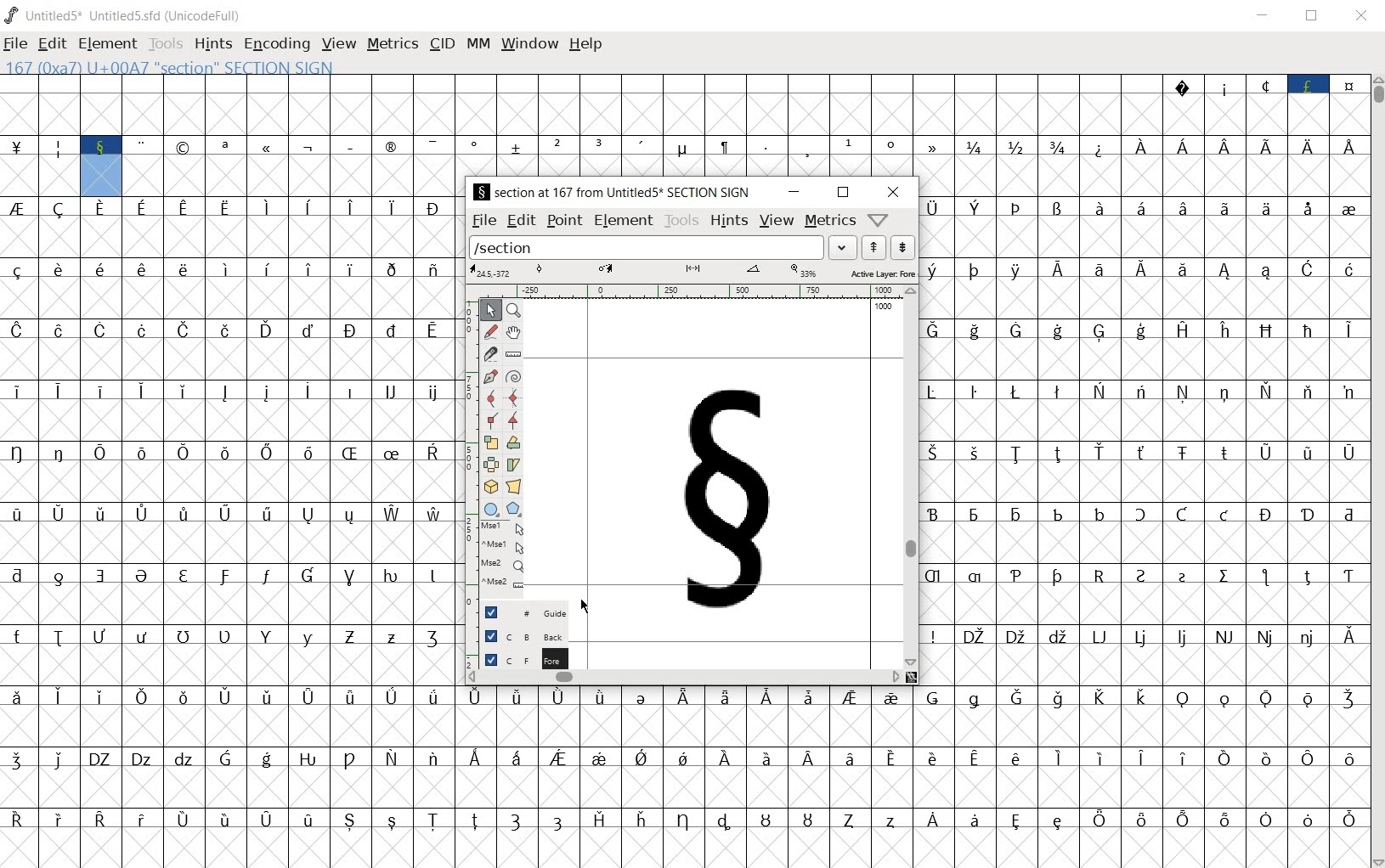  I want to click on special letters, so click(229, 270).